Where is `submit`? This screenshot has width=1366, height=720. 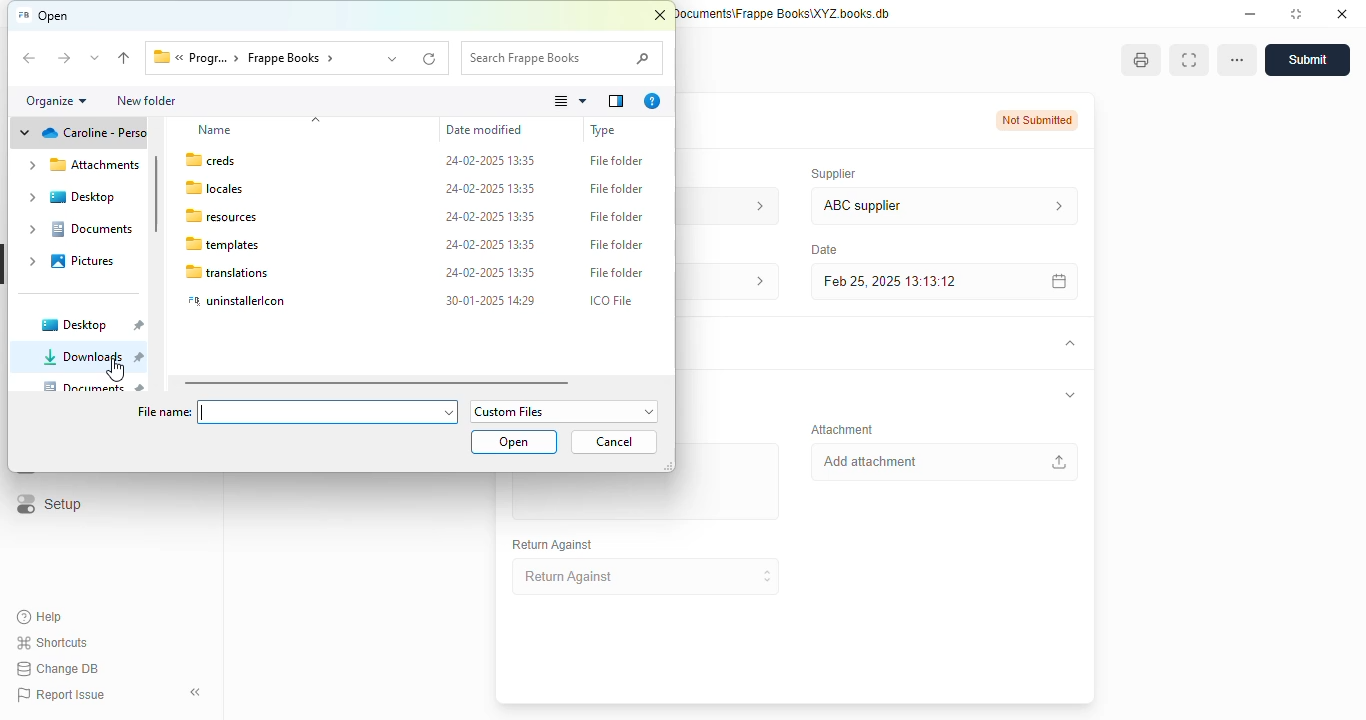
submit is located at coordinates (1307, 60).